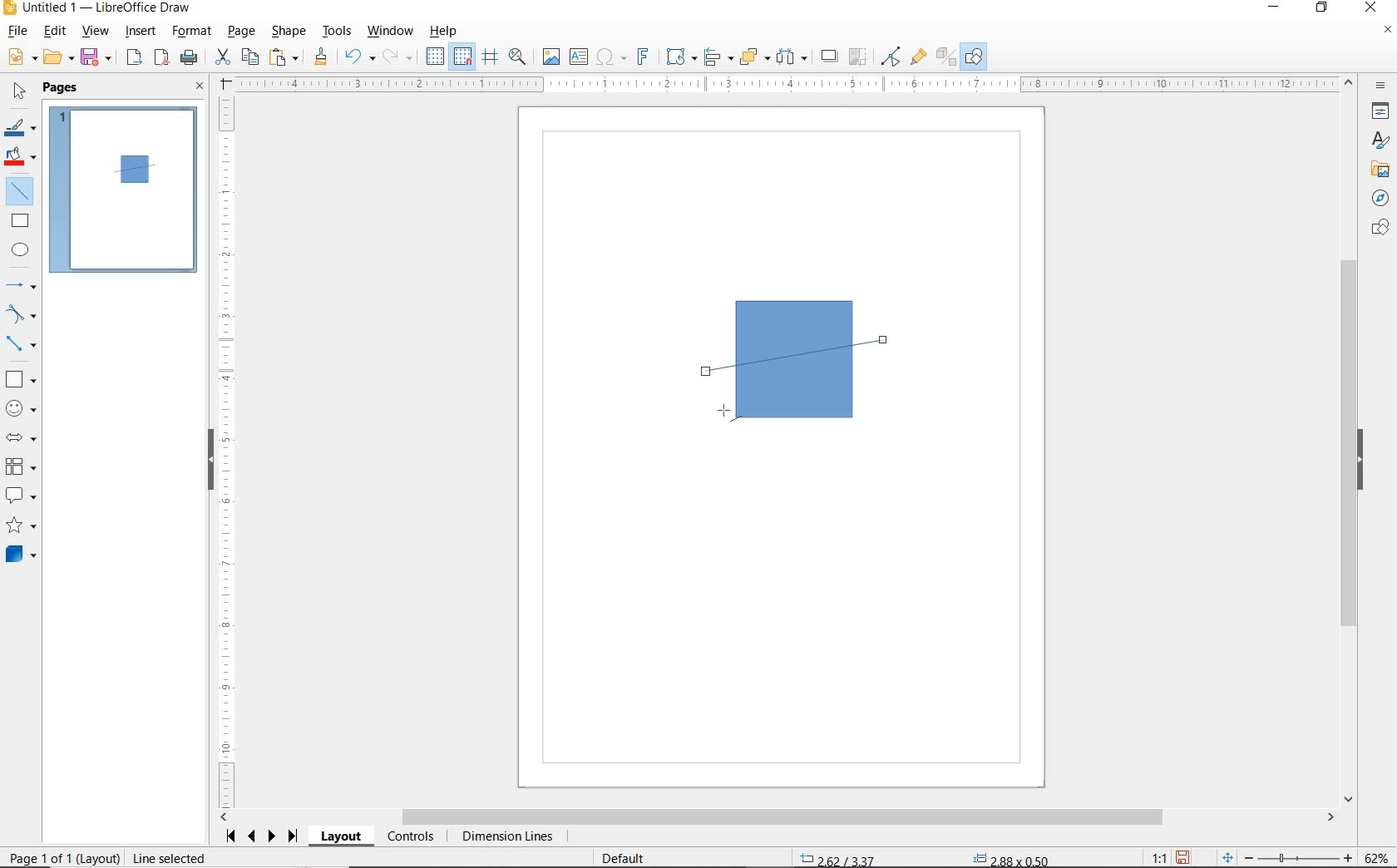 The height and width of the screenshot is (868, 1397). What do you see at coordinates (338, 32) in the screenshot?
I see `TOOLS` at bounding box center [338, 32].